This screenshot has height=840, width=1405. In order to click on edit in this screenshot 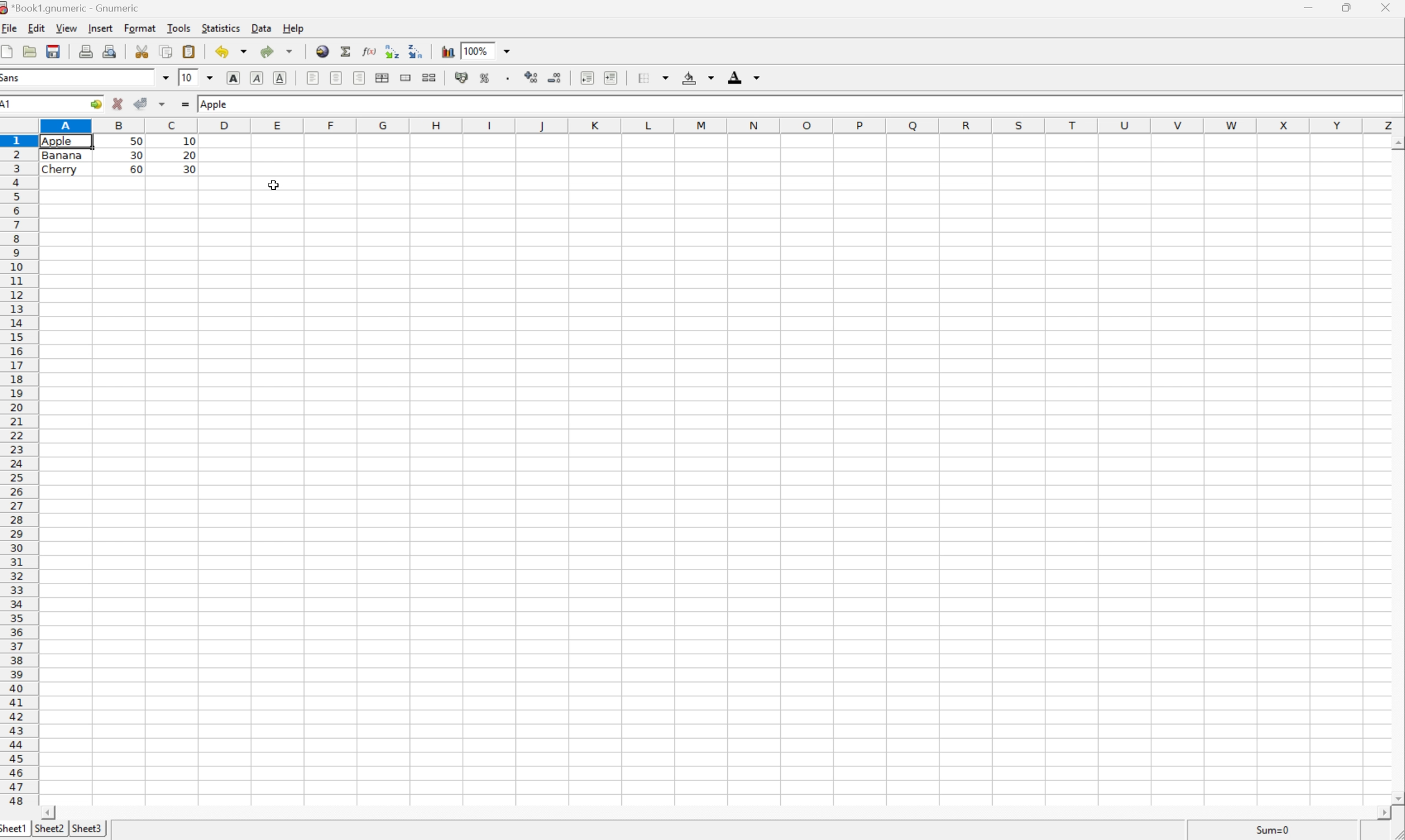, I will do `click(36, 28)`.